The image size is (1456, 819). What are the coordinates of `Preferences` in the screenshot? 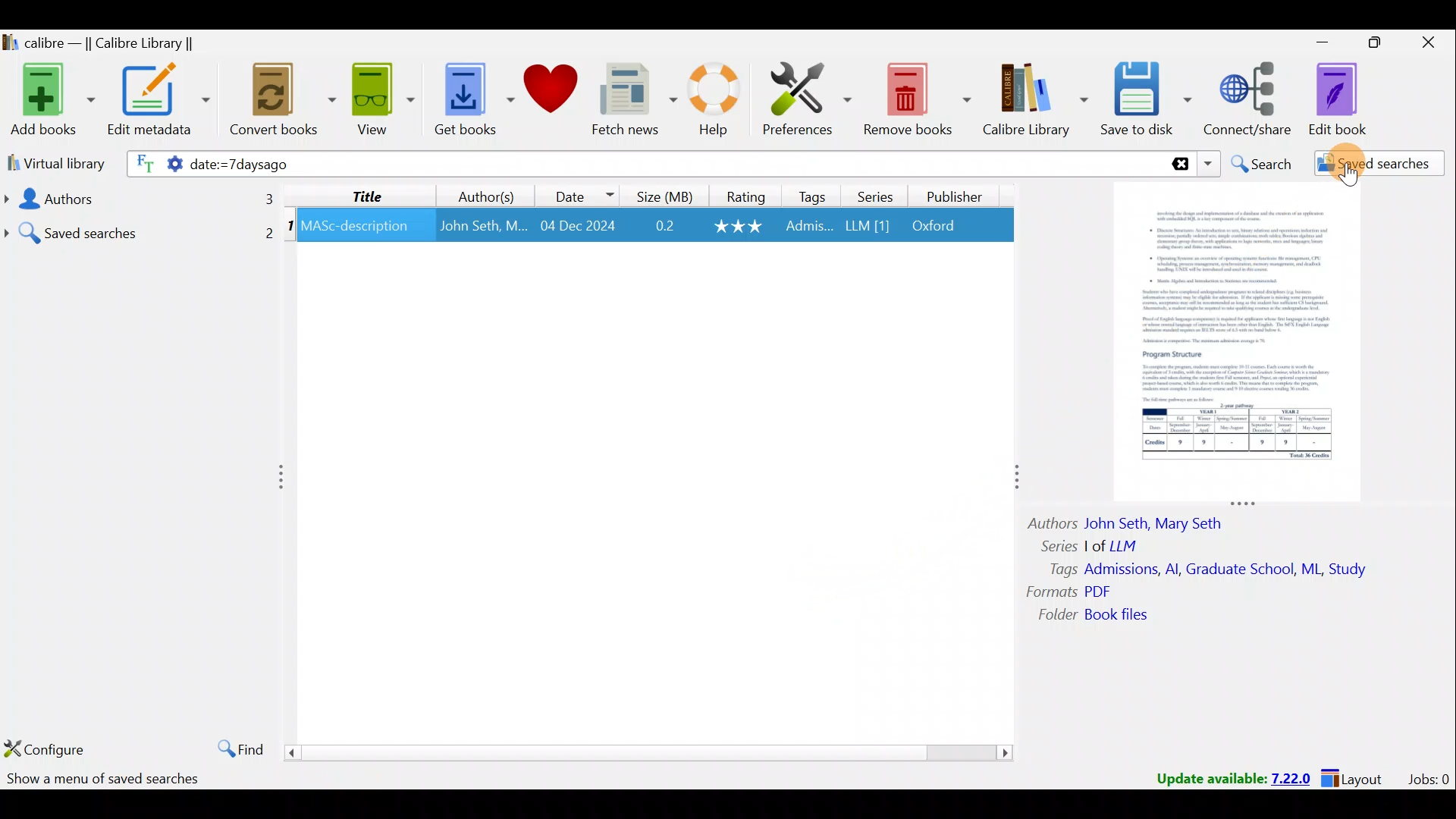 It's located at (809, 96).